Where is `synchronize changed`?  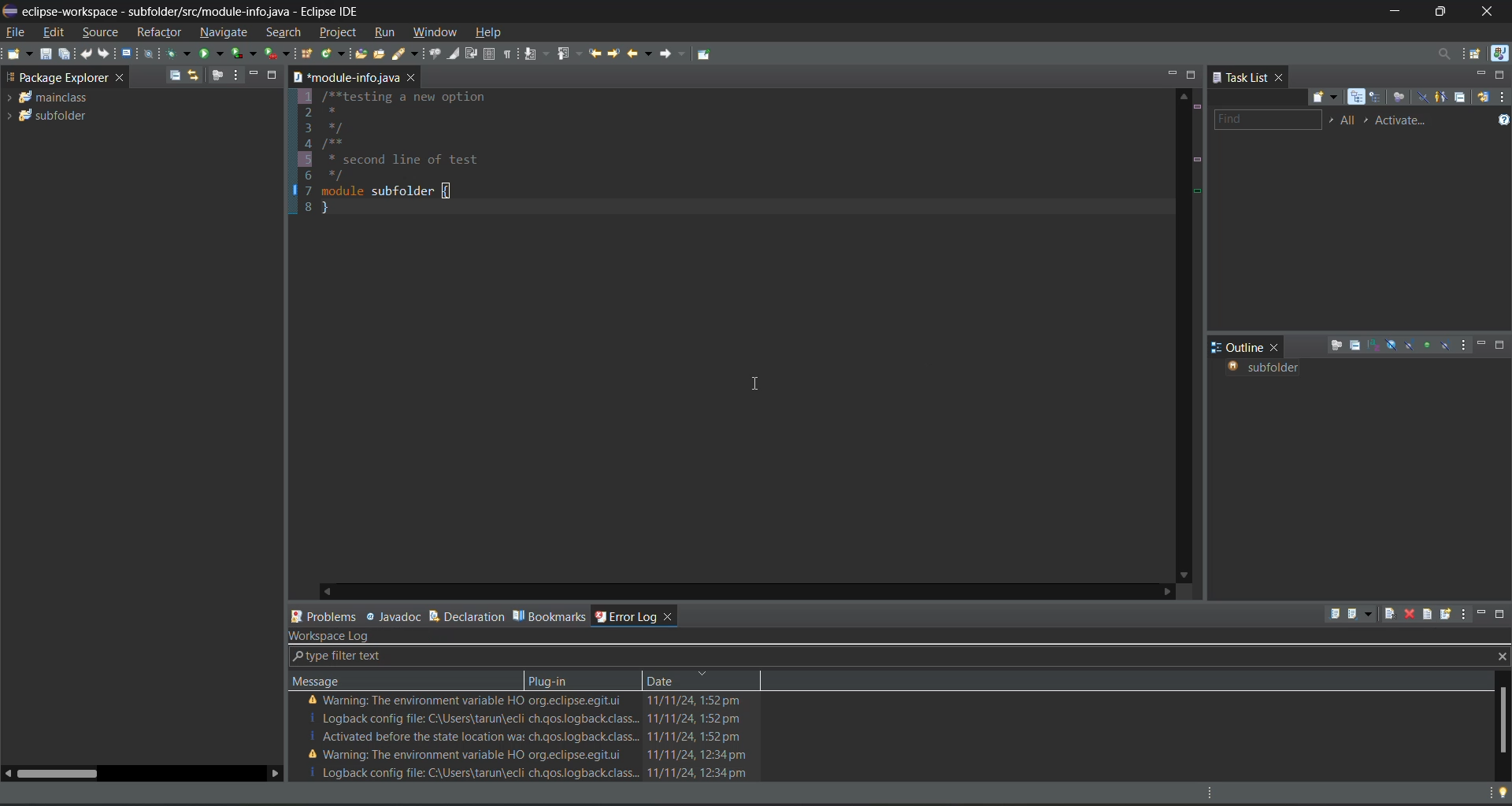 synchronize changed is located at coordinates (1484, 98).